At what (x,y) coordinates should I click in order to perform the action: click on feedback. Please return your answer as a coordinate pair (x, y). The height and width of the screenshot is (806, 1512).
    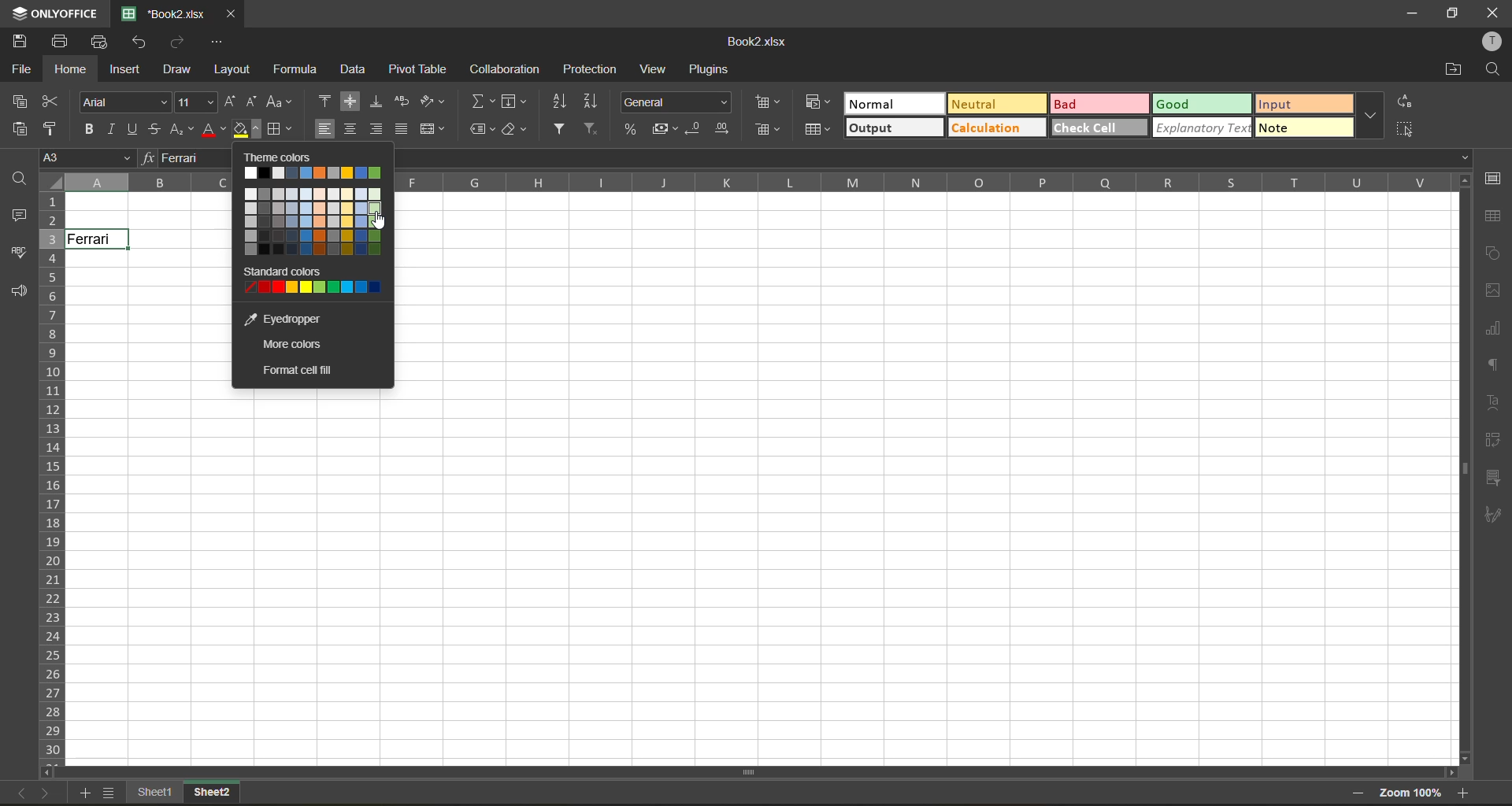
    Looking at the image, I should click on (24, 293).